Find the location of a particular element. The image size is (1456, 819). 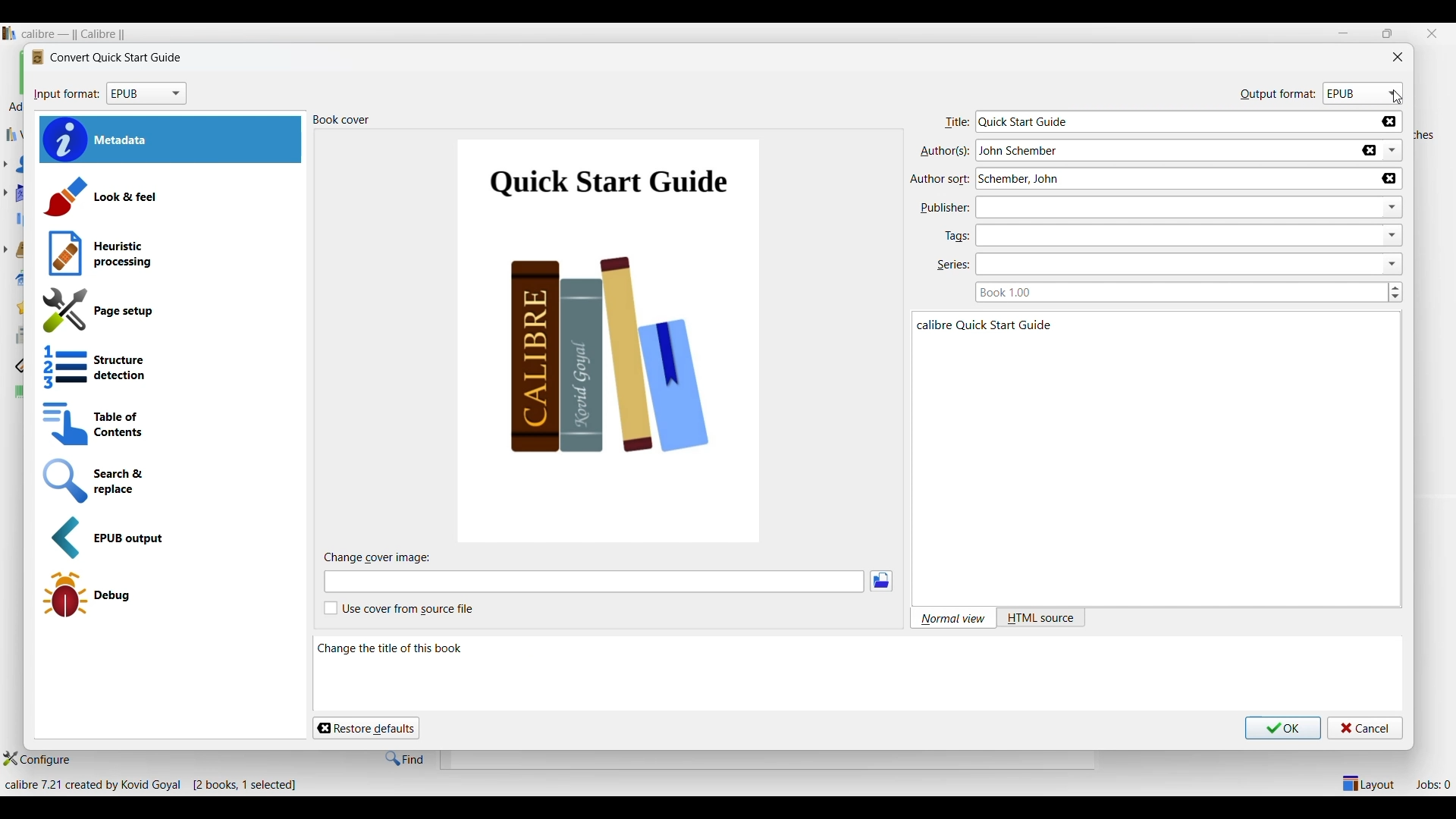

Type in publisher is located at coordinates (1147, 208).